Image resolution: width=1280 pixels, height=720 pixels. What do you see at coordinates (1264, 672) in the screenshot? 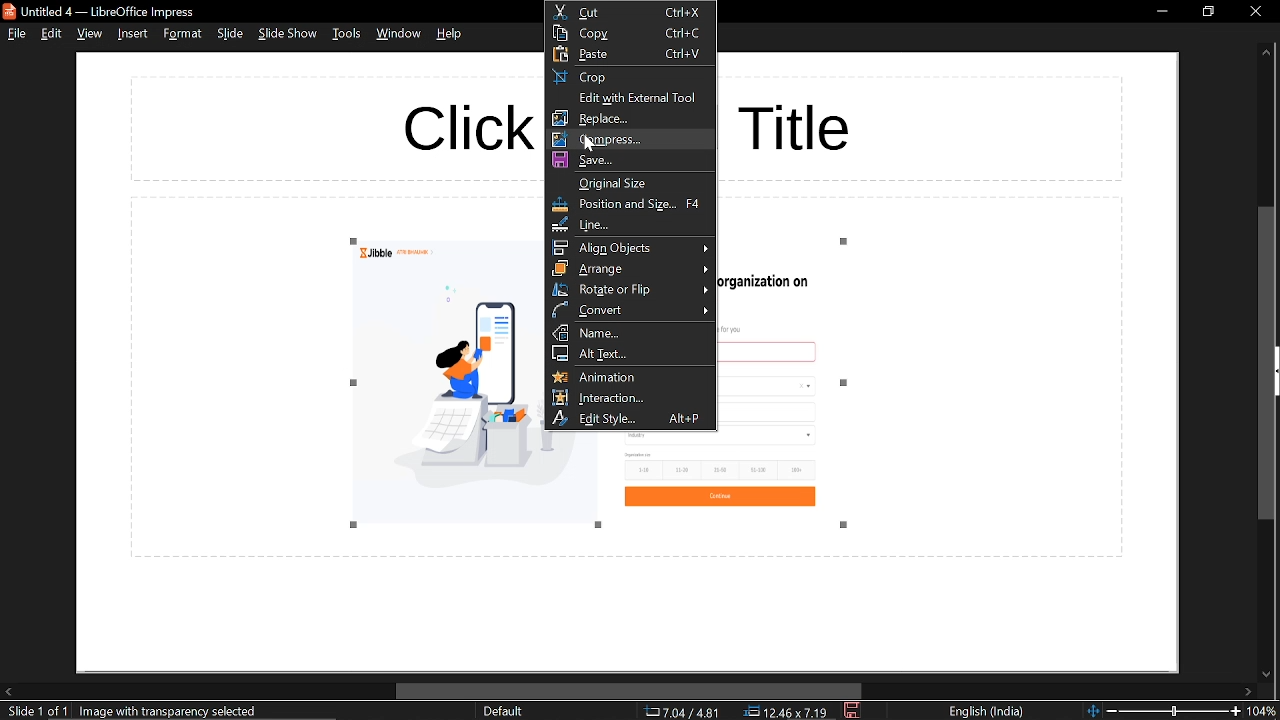
I see `move down` at bounding box center [1264, 672].